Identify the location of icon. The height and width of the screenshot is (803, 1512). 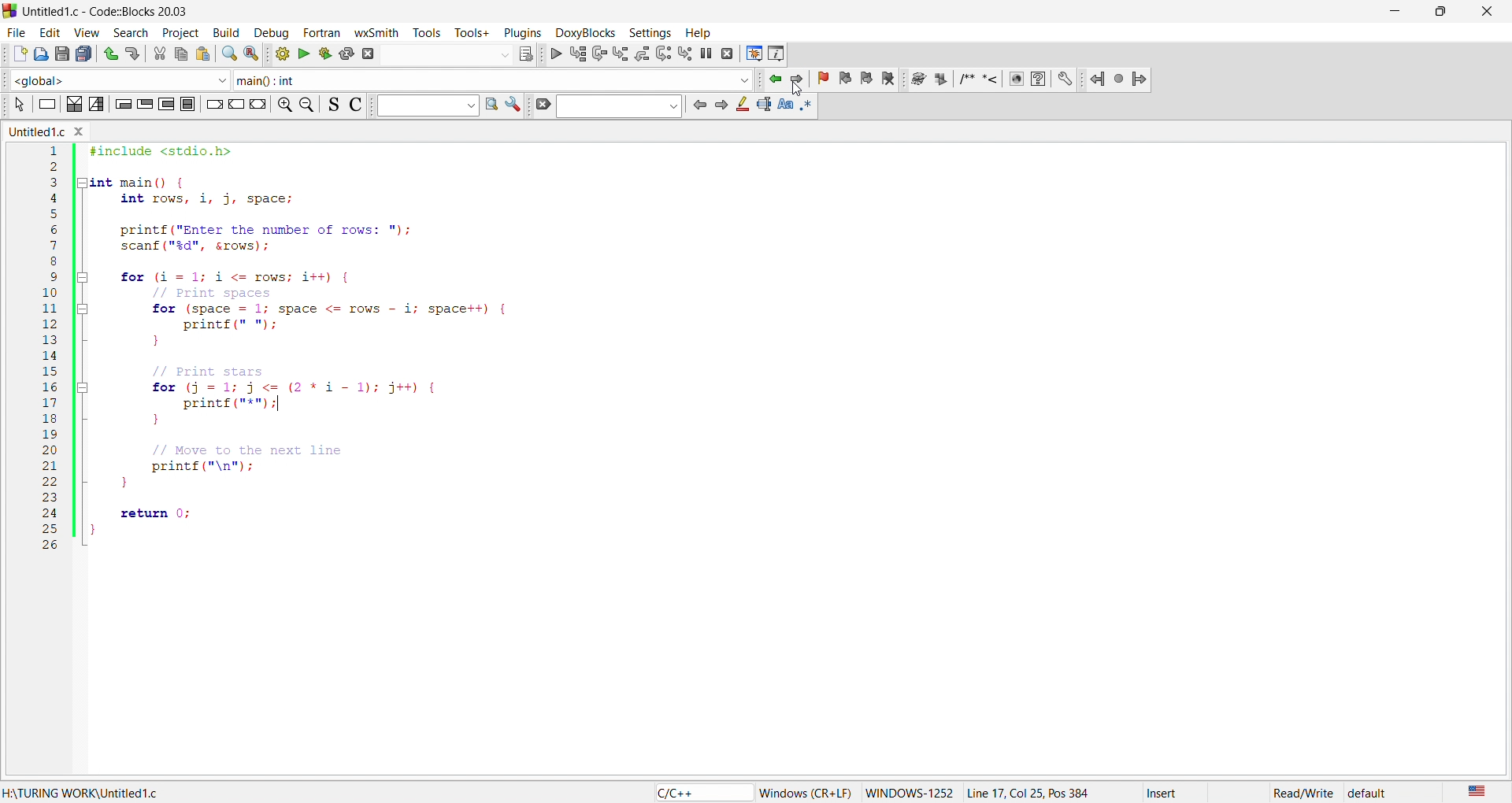
(141, 105).